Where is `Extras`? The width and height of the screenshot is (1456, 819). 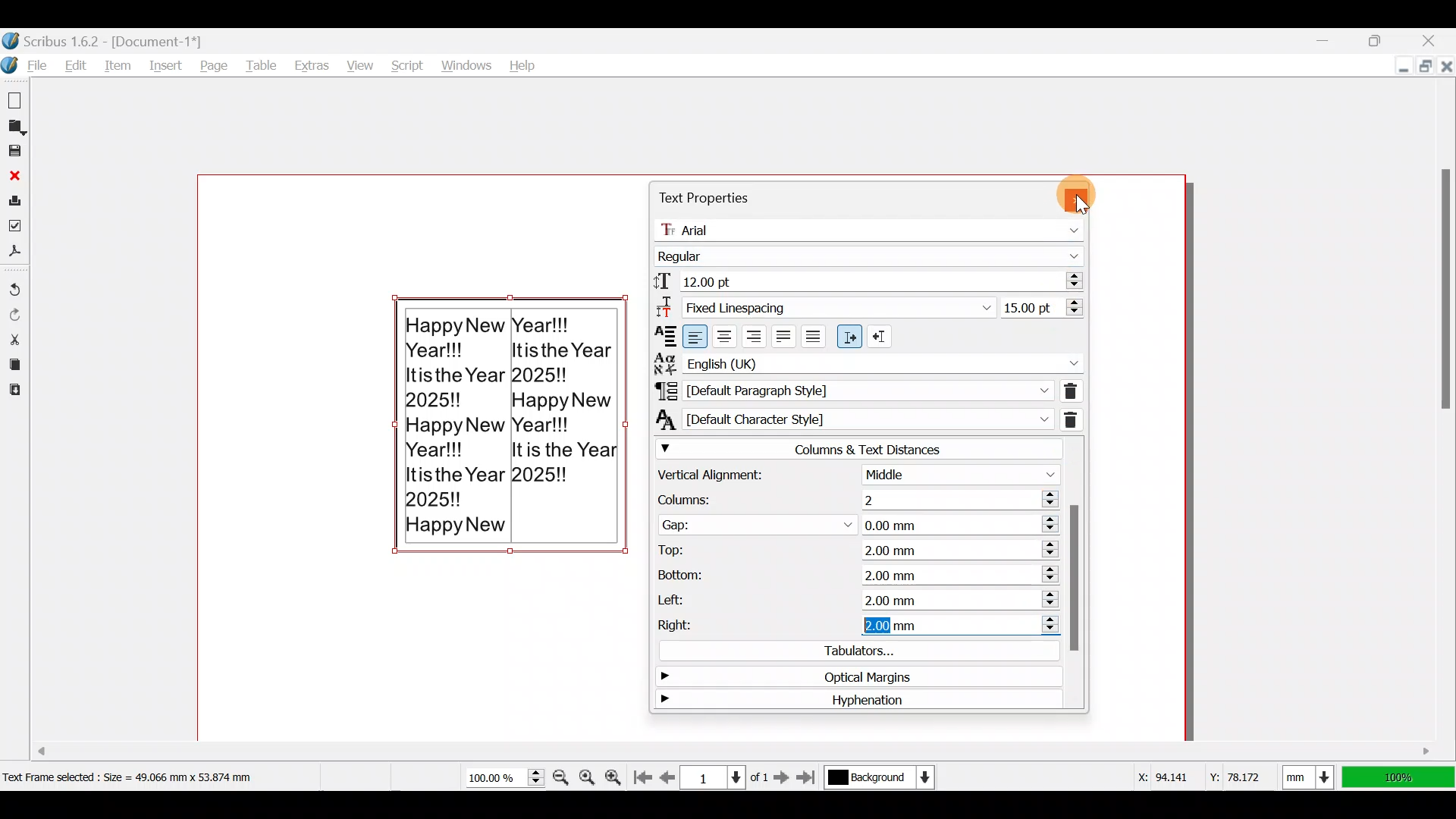 Extras is located at coordinates (312, 65).